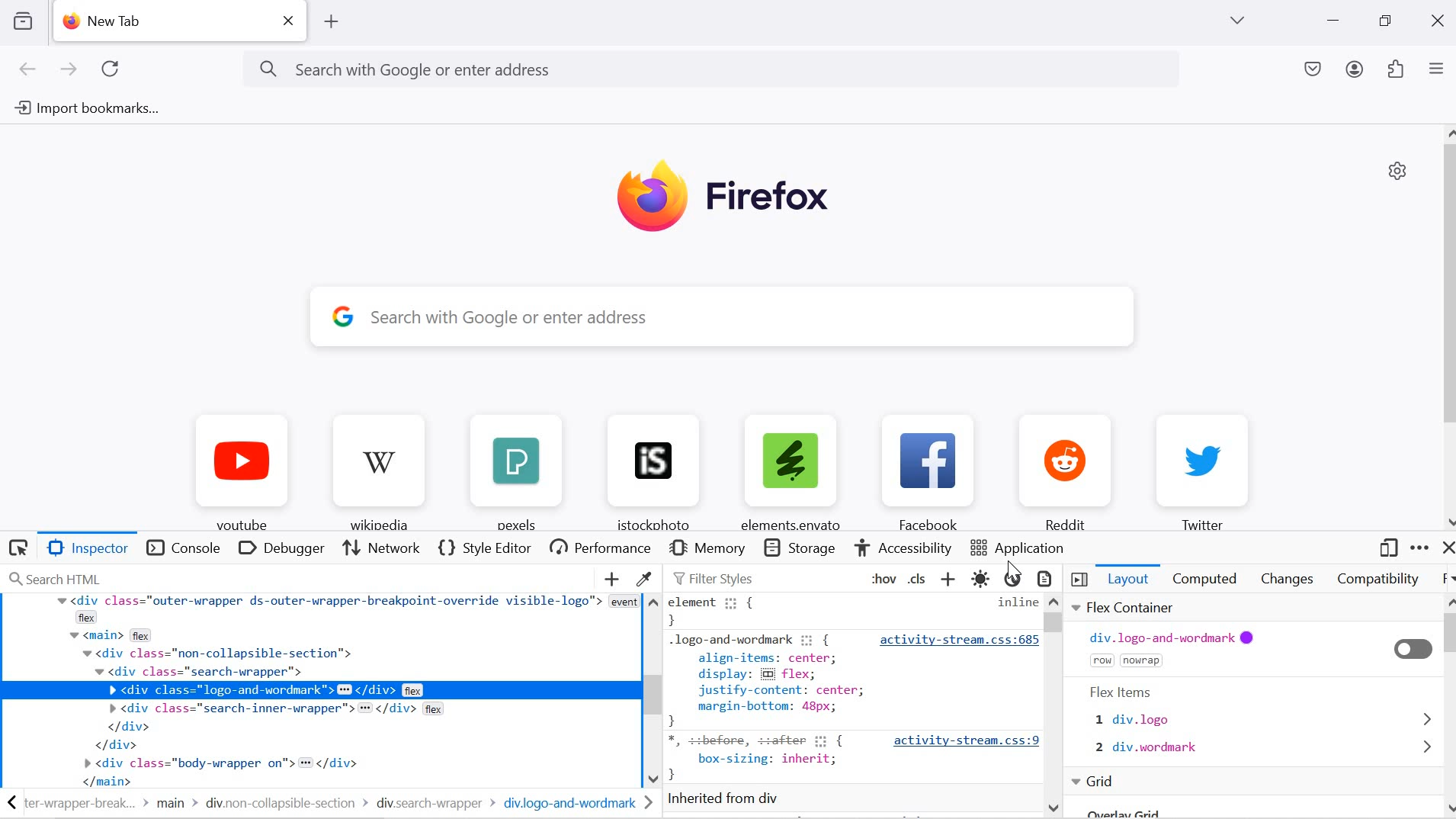  What do you see at coordinates (1128, 662) in the screenshot?
I see ` row nowrap` at bounding box center [1128, 662].